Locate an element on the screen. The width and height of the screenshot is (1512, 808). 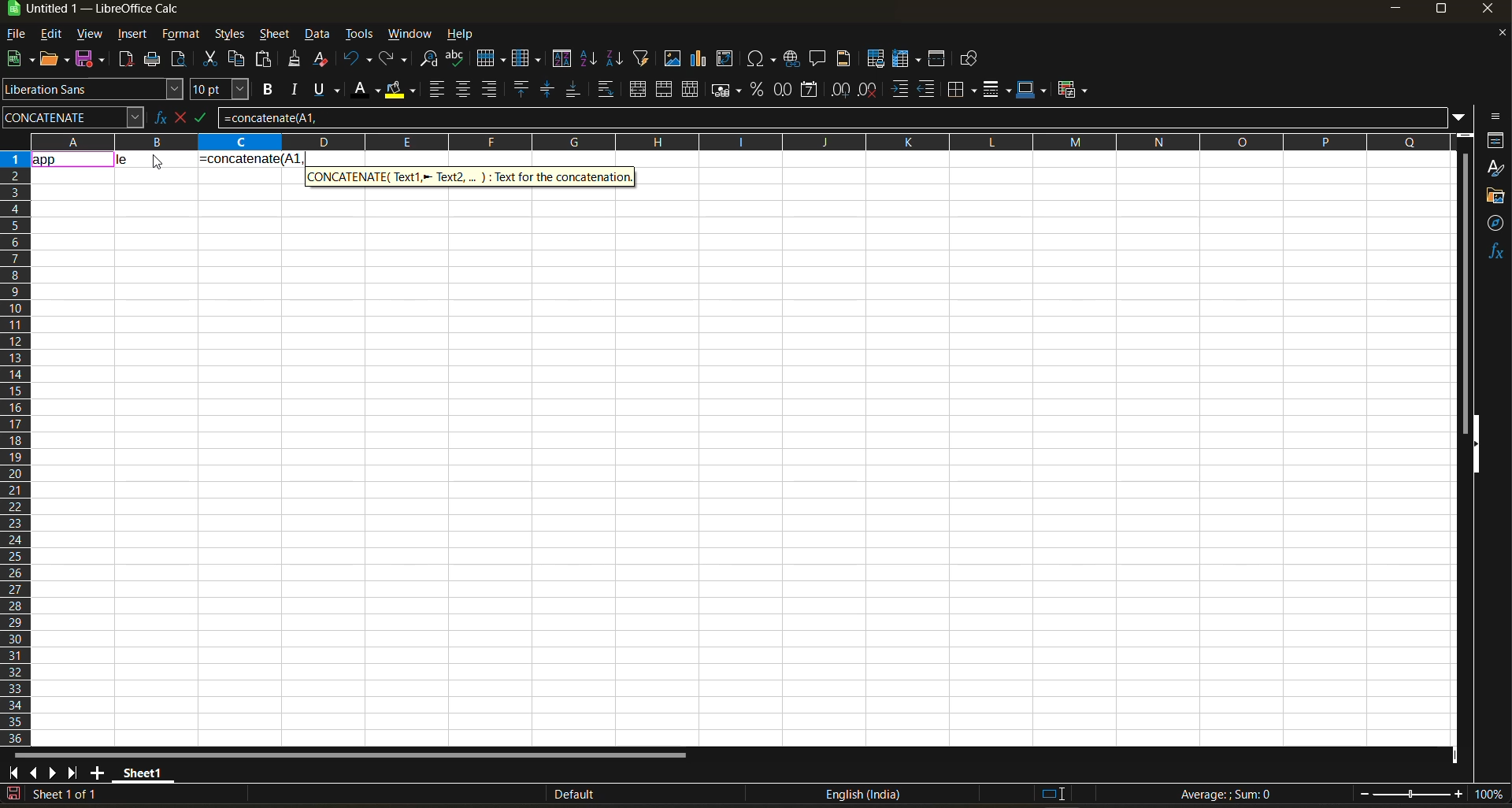
data is located at coordinates (319, 35).